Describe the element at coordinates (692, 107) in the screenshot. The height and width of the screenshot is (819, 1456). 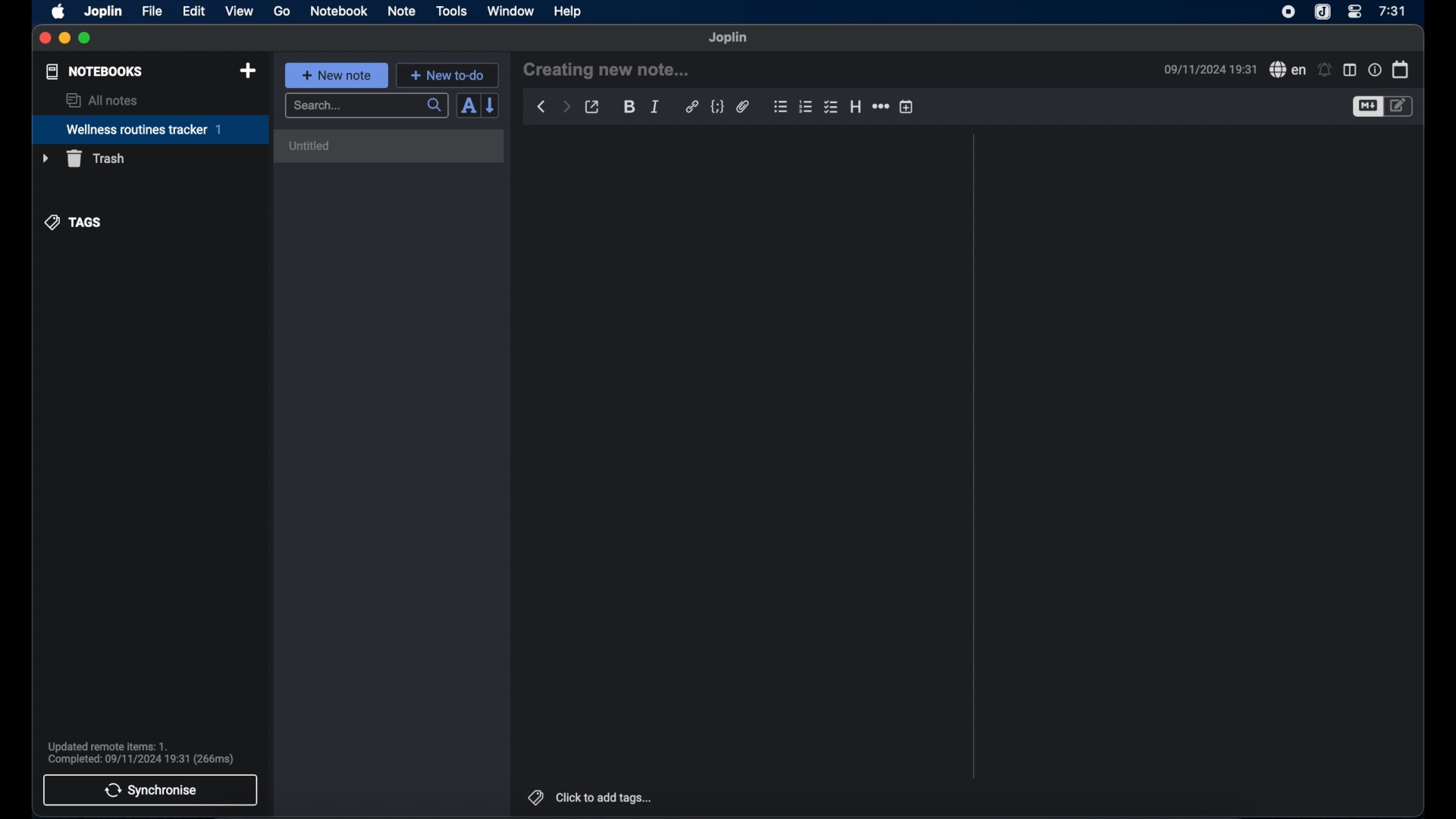
I see `hyperlink` at that location.